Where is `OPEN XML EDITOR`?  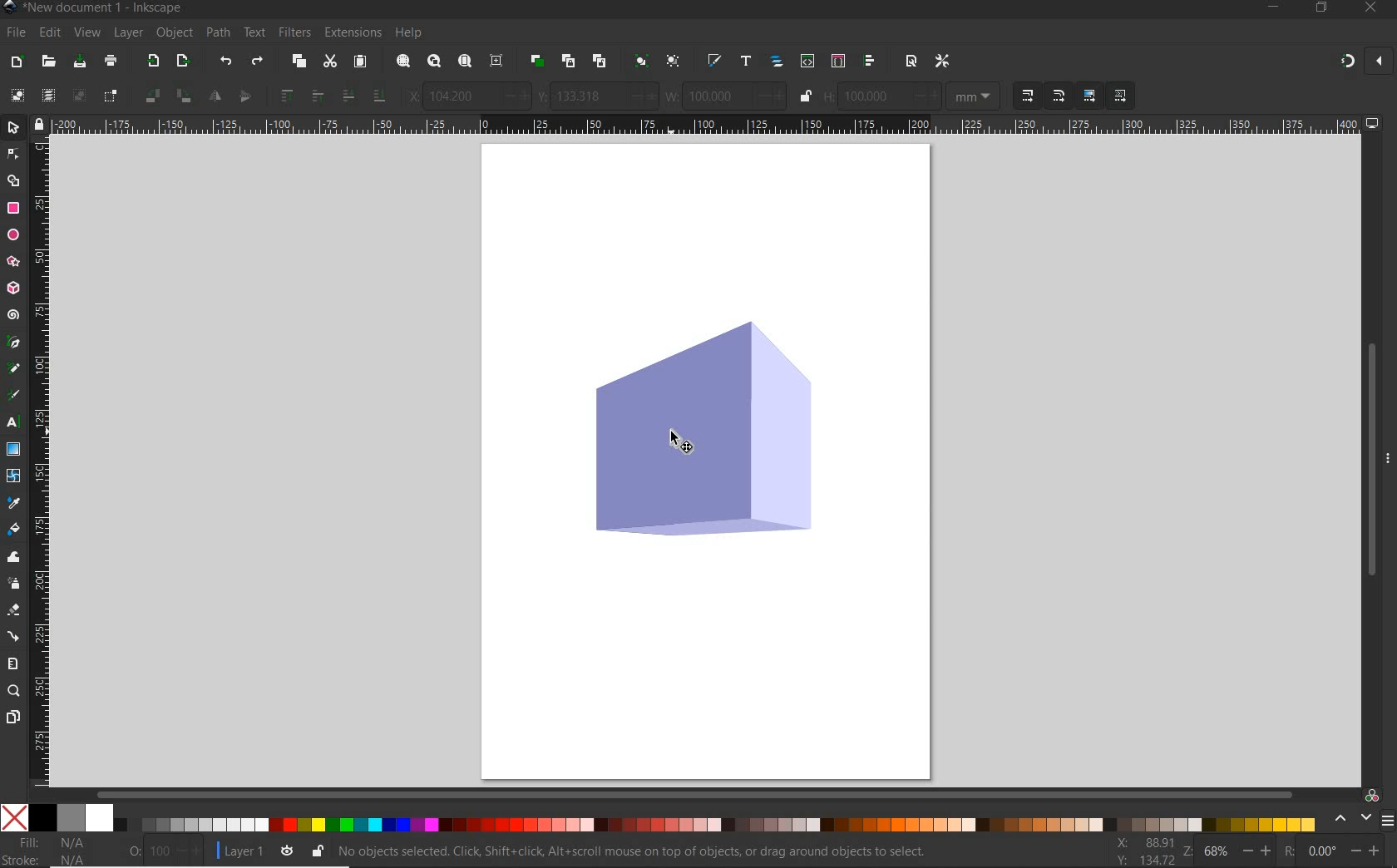
OPEN XML EDITOR is located at coordinates (807, 63).